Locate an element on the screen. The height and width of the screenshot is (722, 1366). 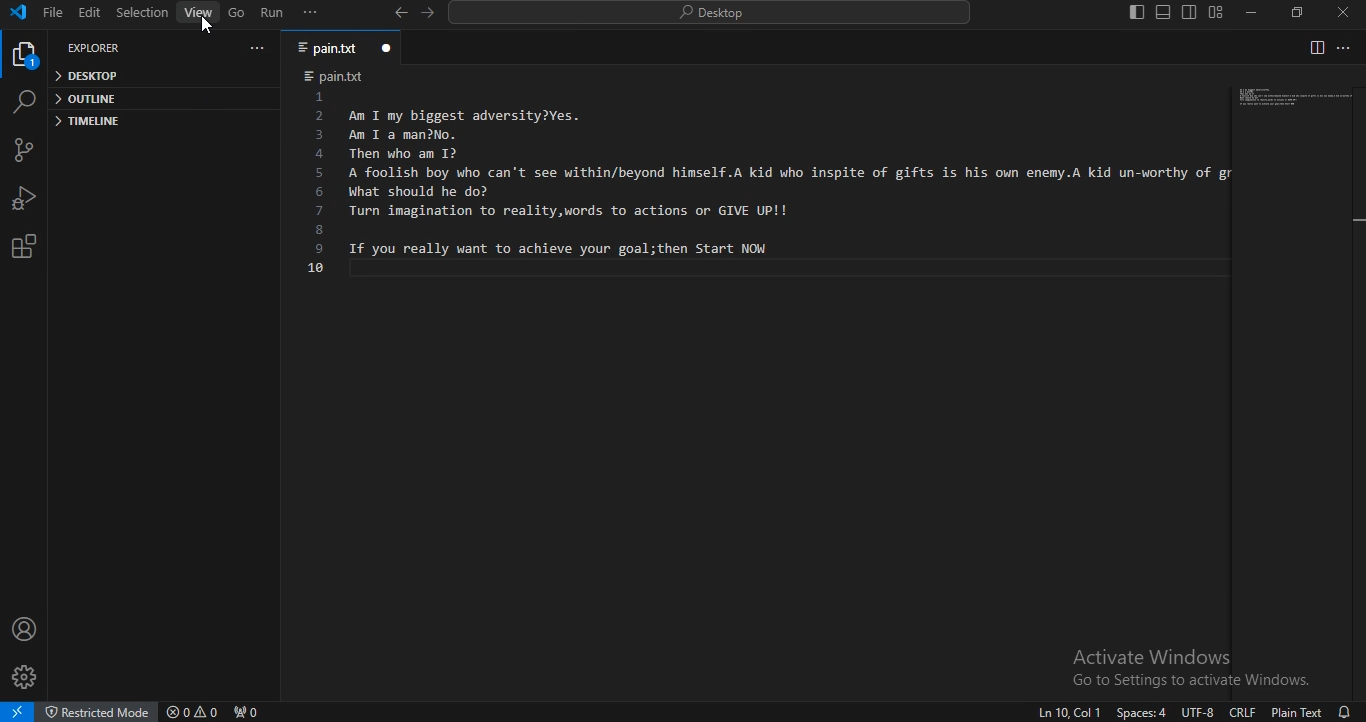
run and debug is located at coordinates (22, 195).